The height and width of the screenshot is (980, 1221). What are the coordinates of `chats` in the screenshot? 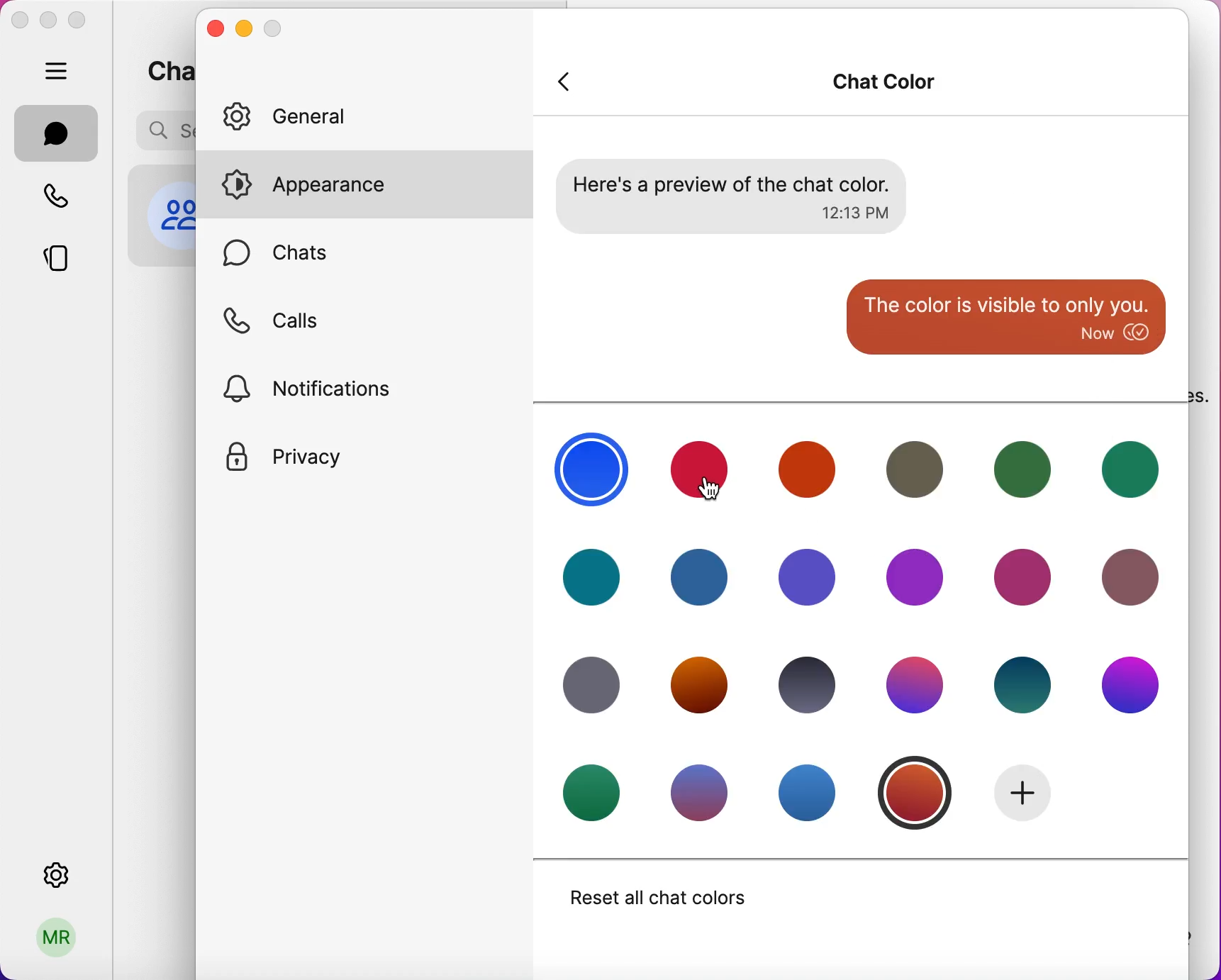 It's located at (57, 133).